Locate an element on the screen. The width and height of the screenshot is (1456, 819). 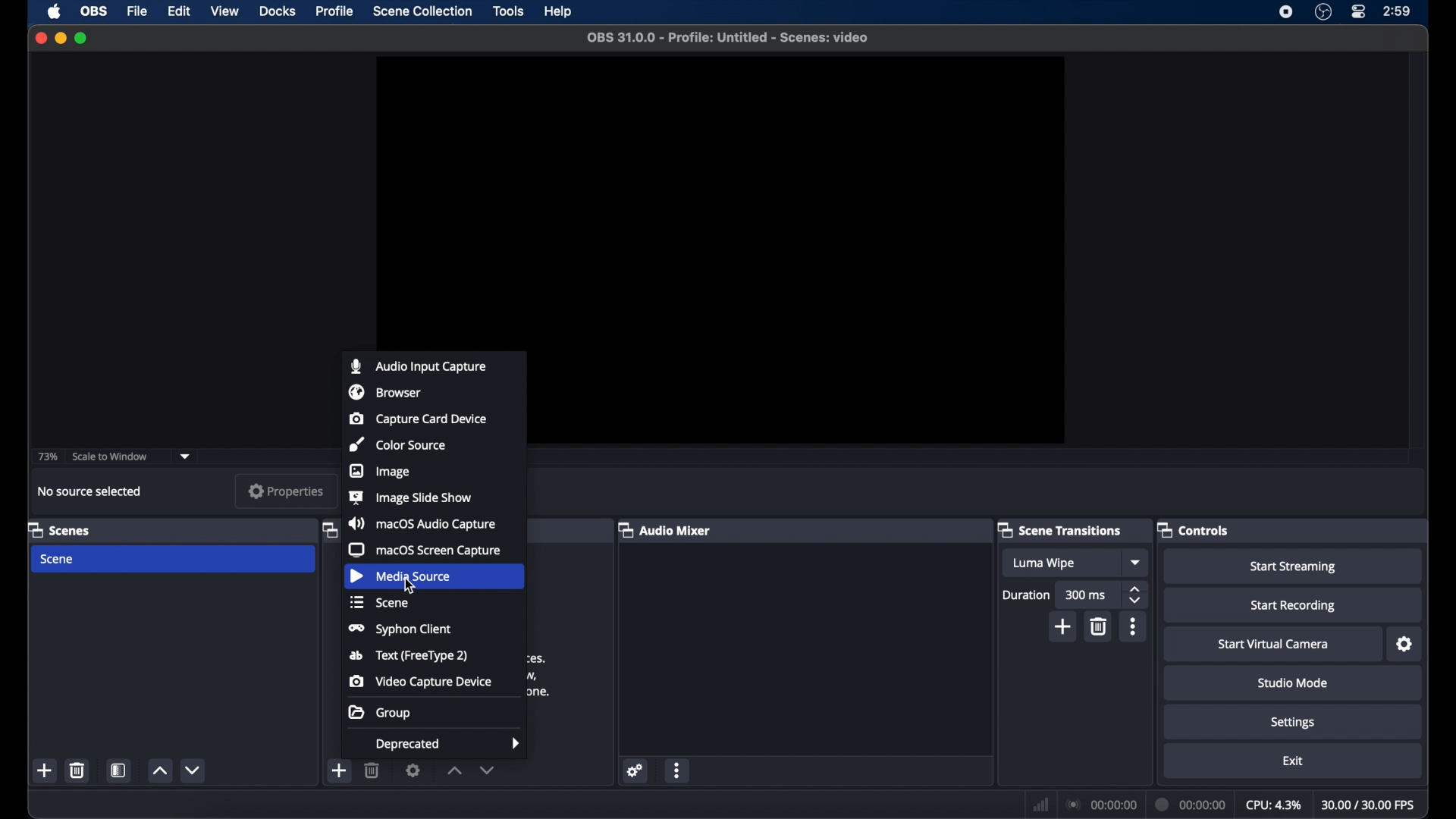
tools is located at coordinates (509, 11).